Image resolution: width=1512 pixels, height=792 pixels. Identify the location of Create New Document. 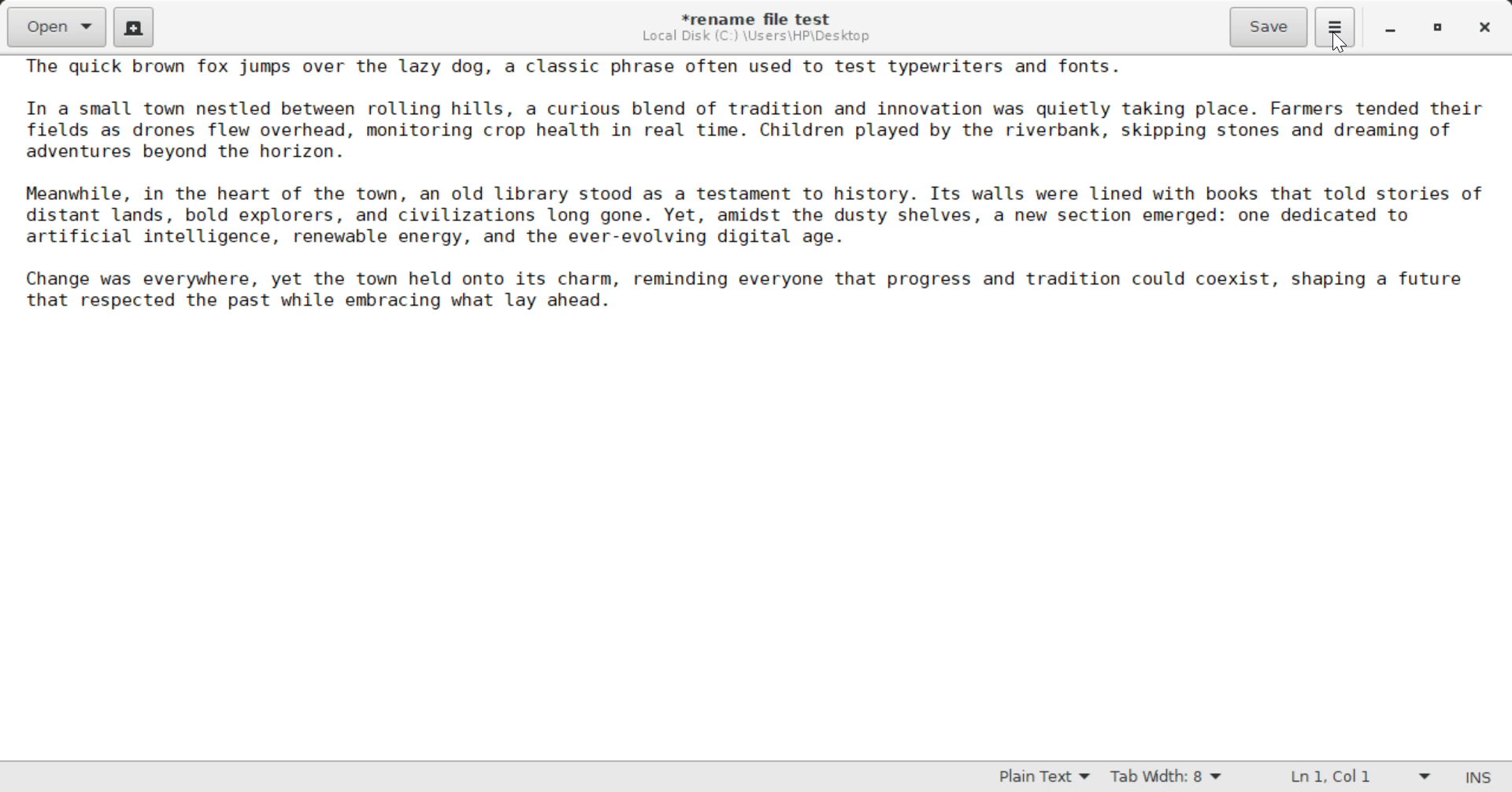
(132, 29).